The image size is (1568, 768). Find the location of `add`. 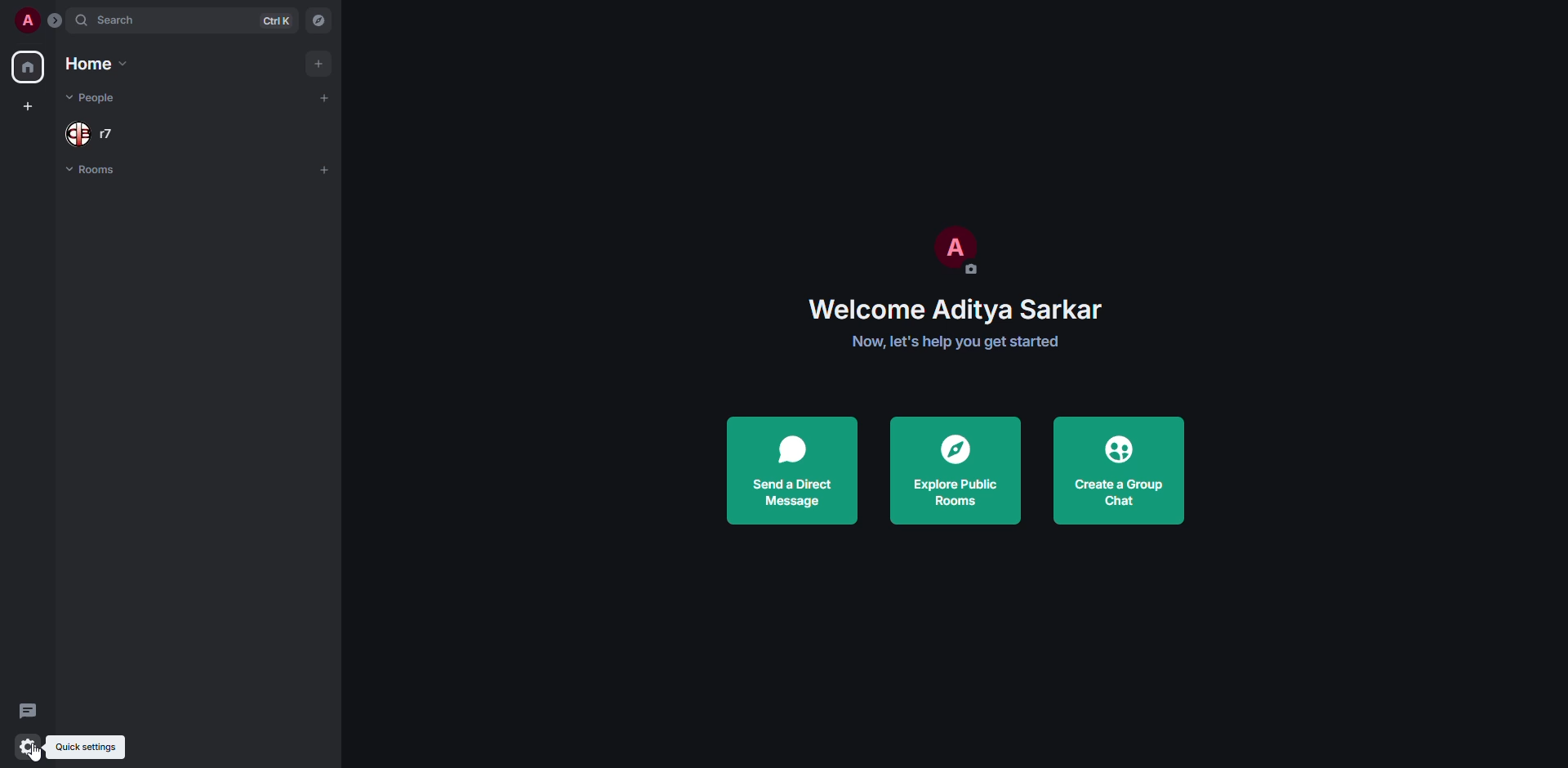

add is located at coordinates (320, 63).